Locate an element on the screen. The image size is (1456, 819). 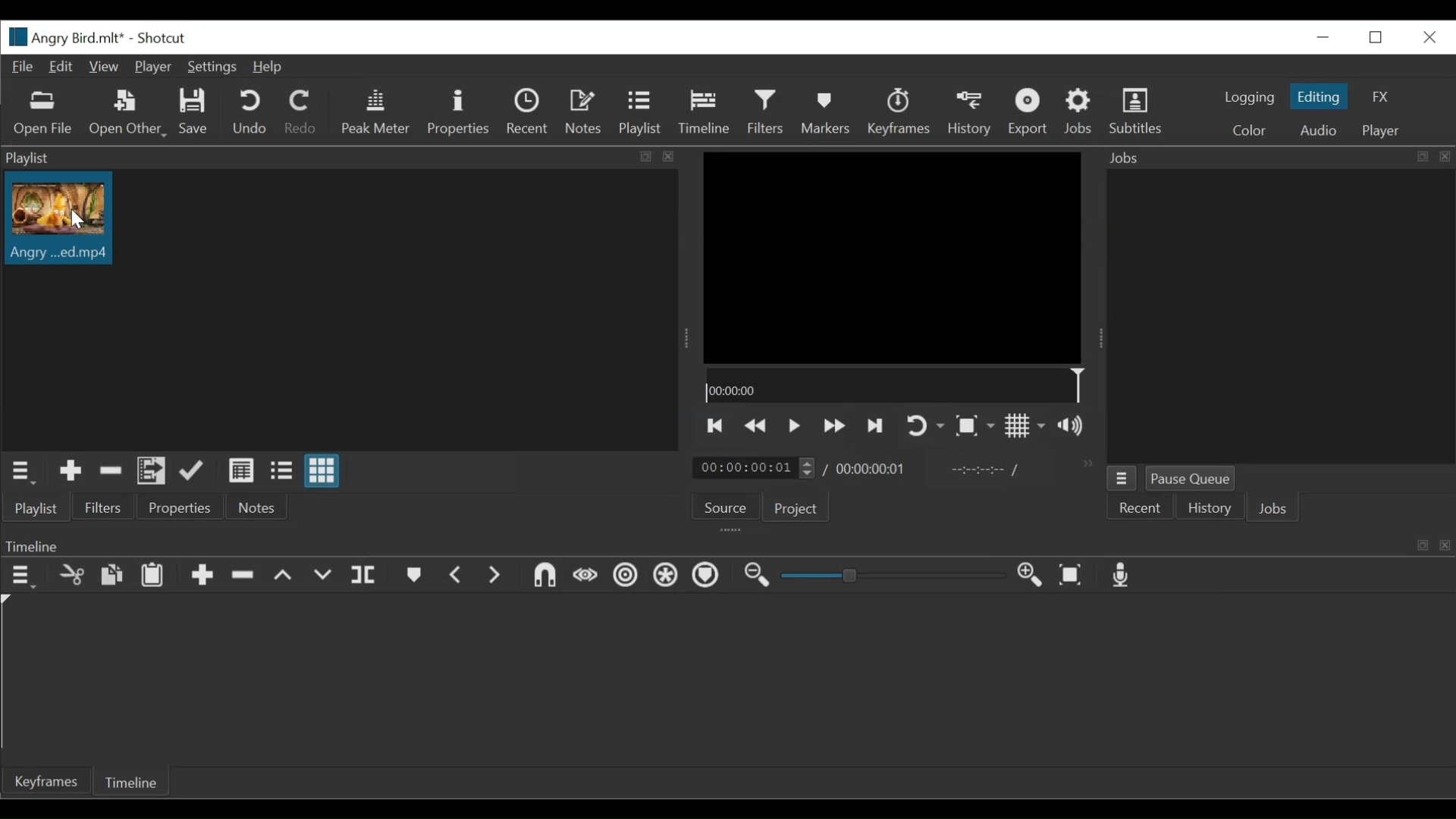
Restore is located at coordinates (1376, 37).